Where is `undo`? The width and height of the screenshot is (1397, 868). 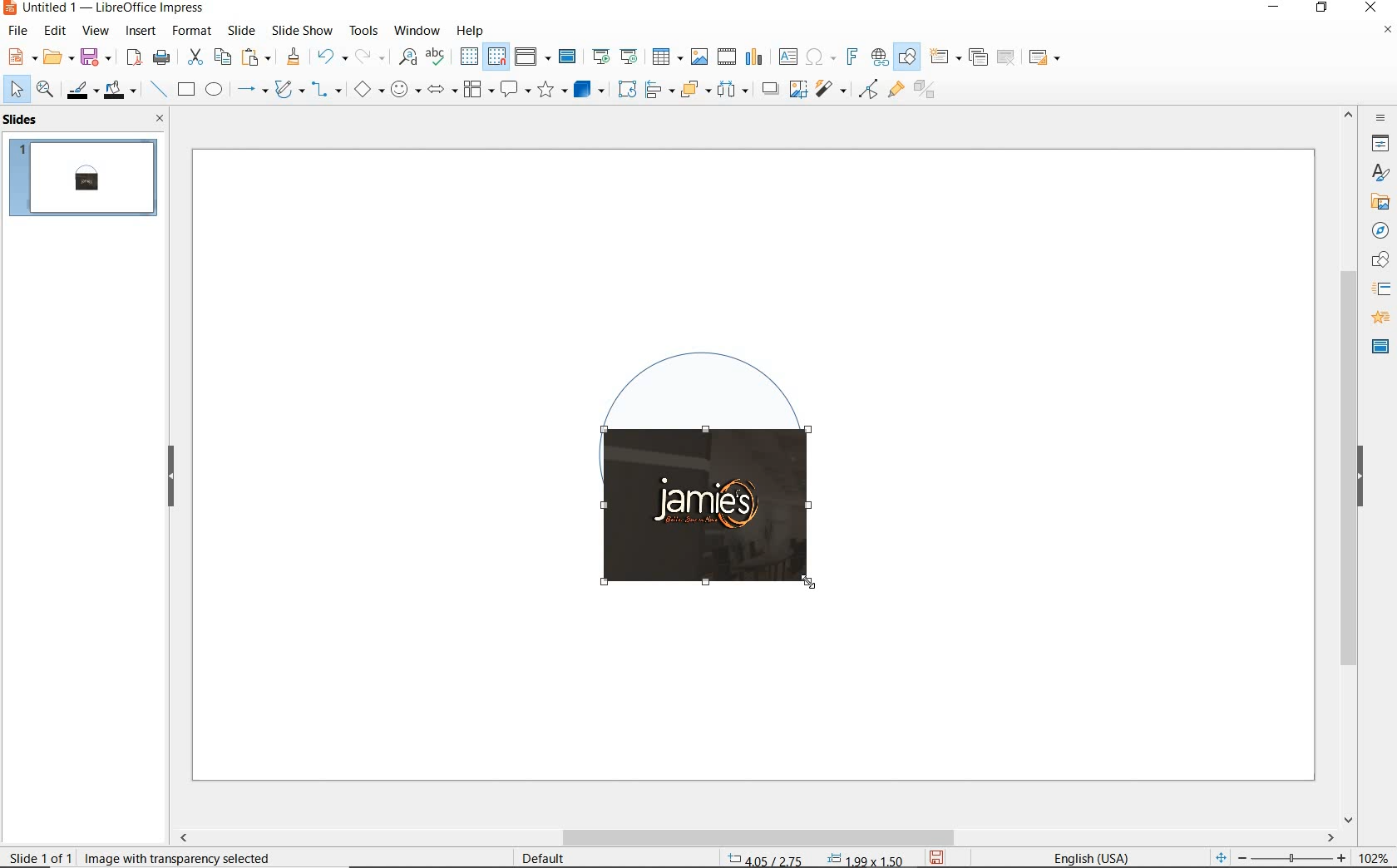 undo is located at coordinates (329, 58).